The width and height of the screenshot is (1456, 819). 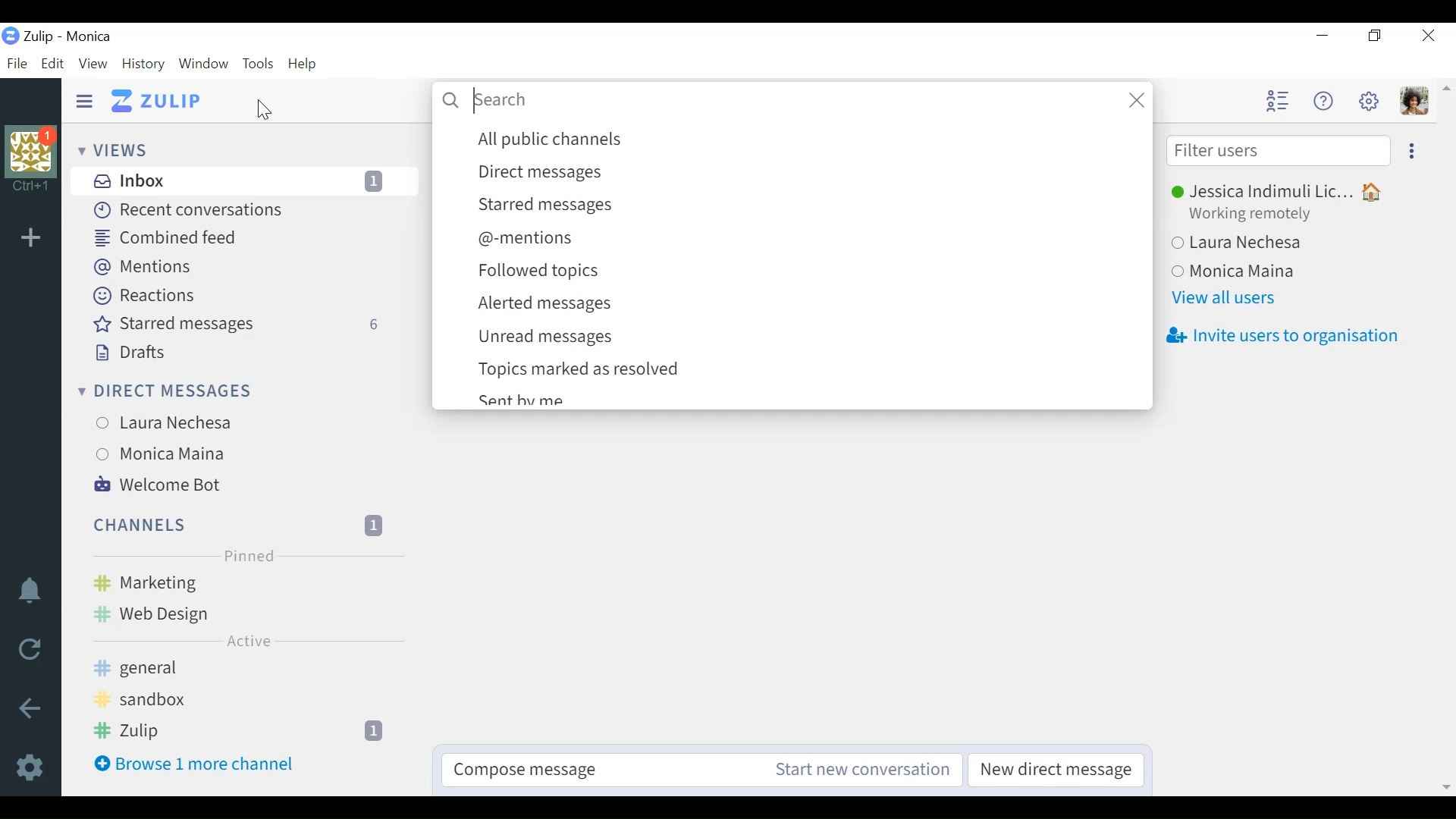 I want to click on Compose message, so click(x=591, y=769).